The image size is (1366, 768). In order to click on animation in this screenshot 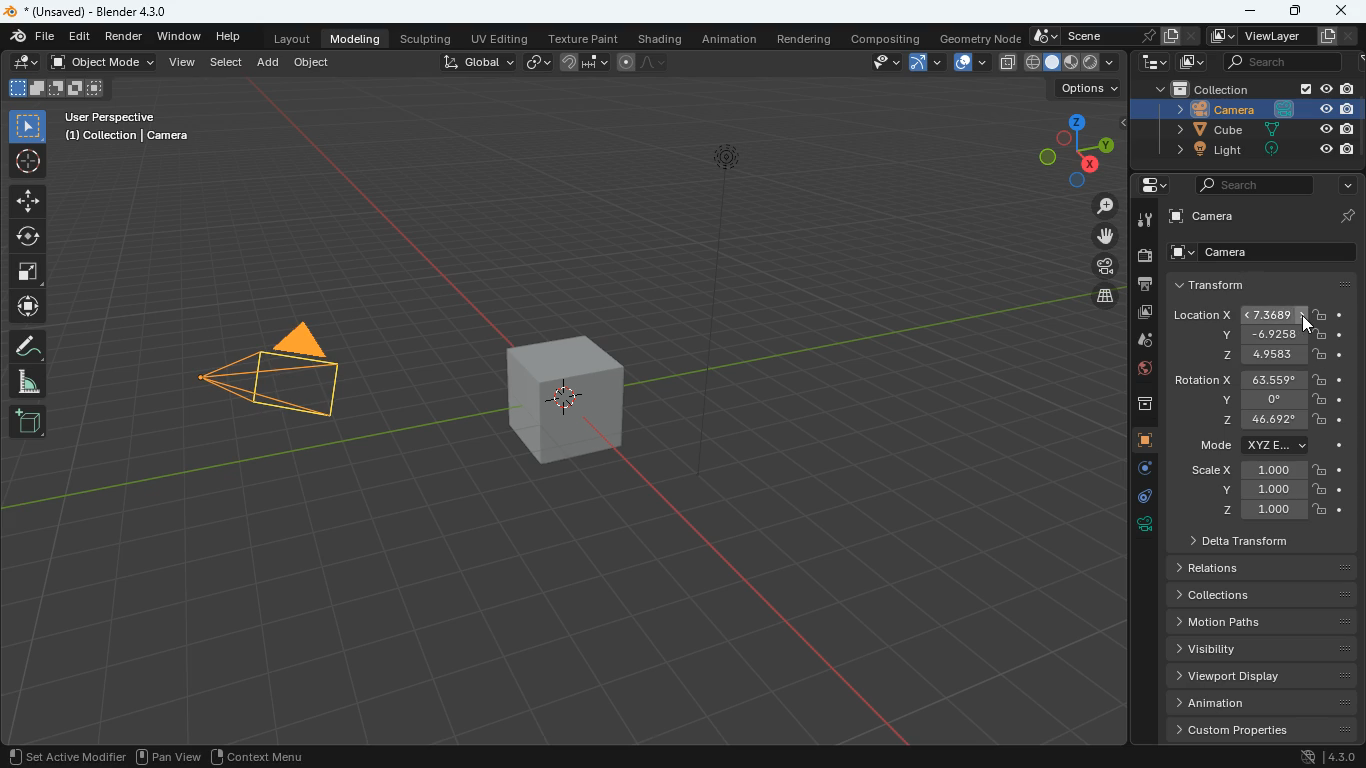, I will do `click(733, 38)`.